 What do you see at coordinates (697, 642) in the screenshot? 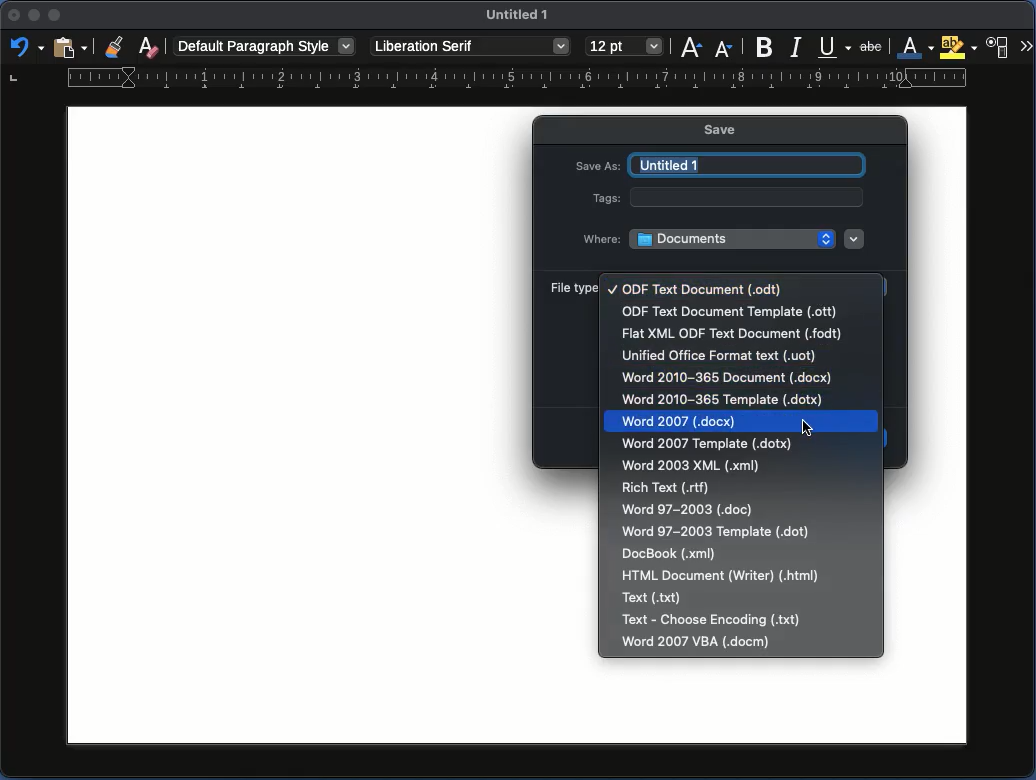
I see `docm` at bounding box center [697, 642].